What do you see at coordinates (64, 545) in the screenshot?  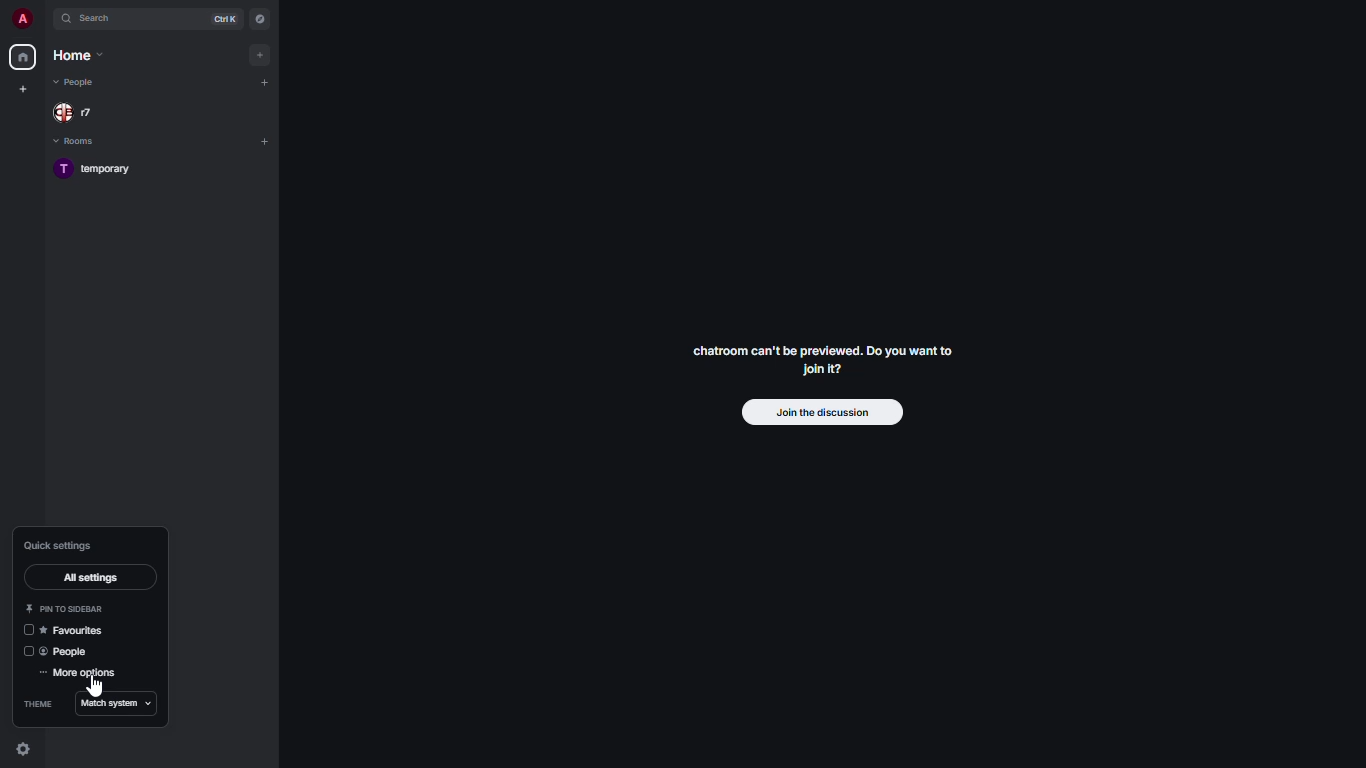 I see `quick settings` at bounding box center [64, 545].